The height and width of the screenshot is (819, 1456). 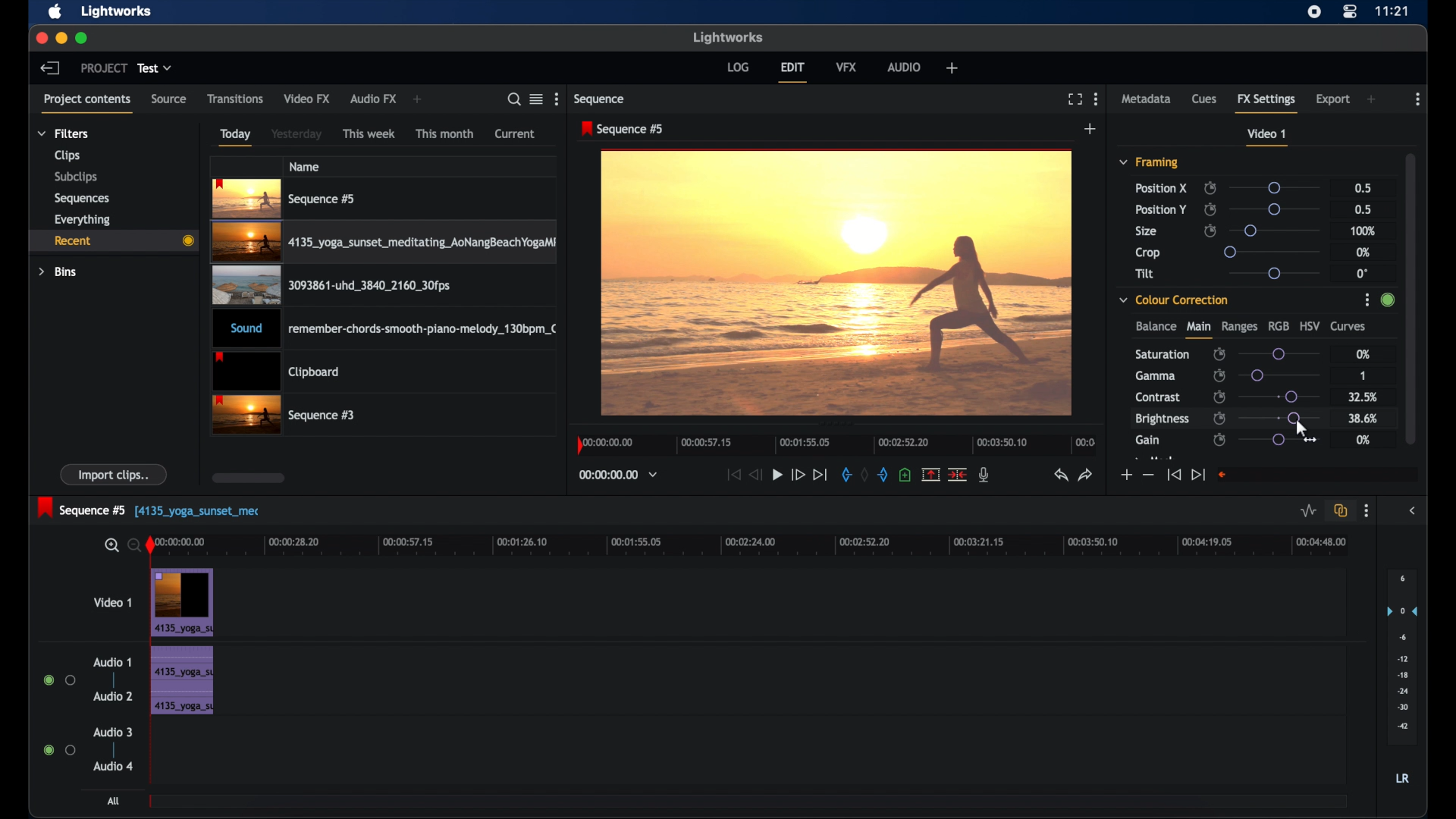 What do you see at coordinates (952, 67) in the screenshot?
I see `add` at bounding box center [952, 67].